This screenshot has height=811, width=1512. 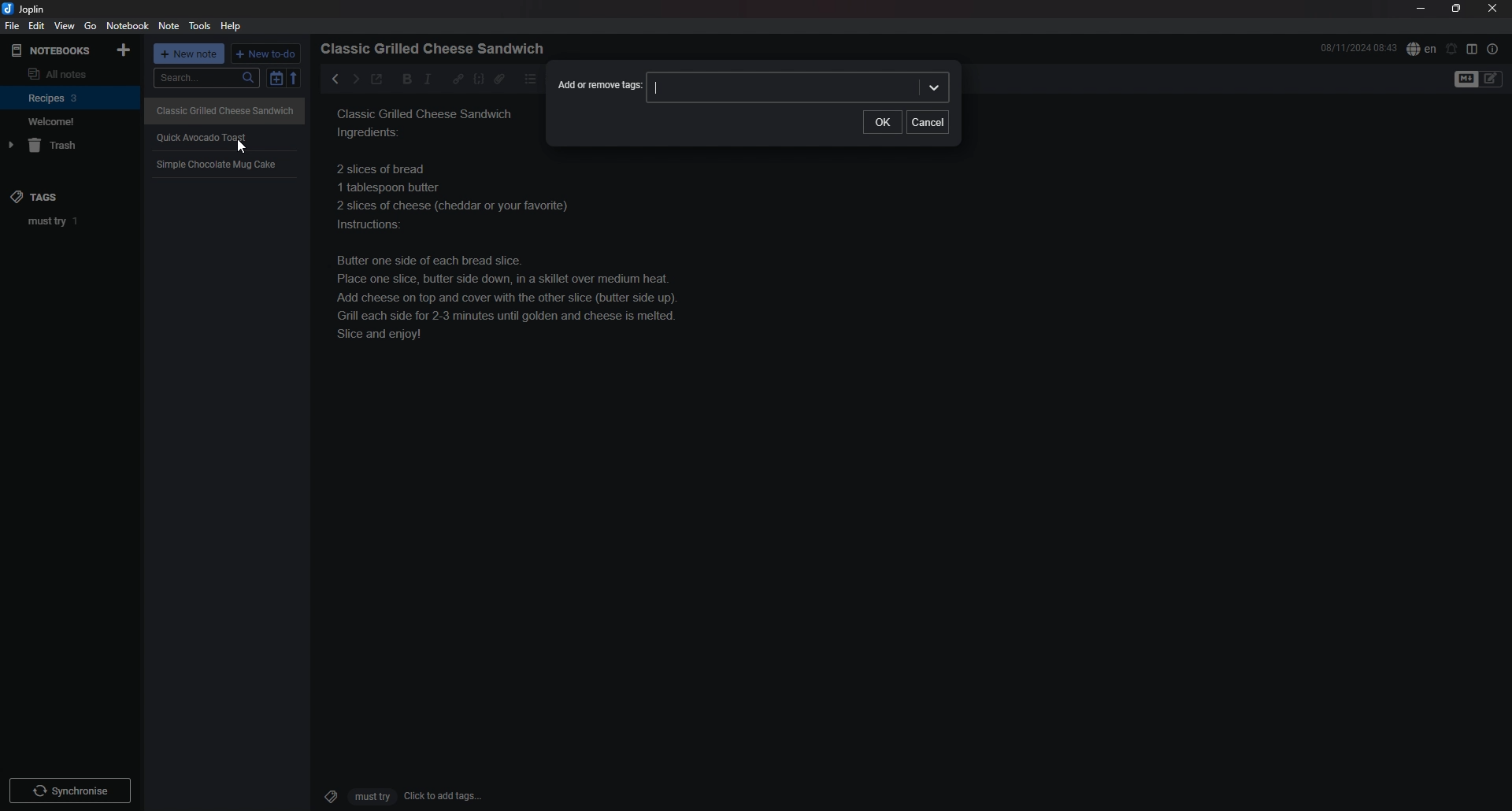 What do you see at coordinates (458, 78) in the screenshot?
I see `hyperlink` at bounding box center [458, 78].